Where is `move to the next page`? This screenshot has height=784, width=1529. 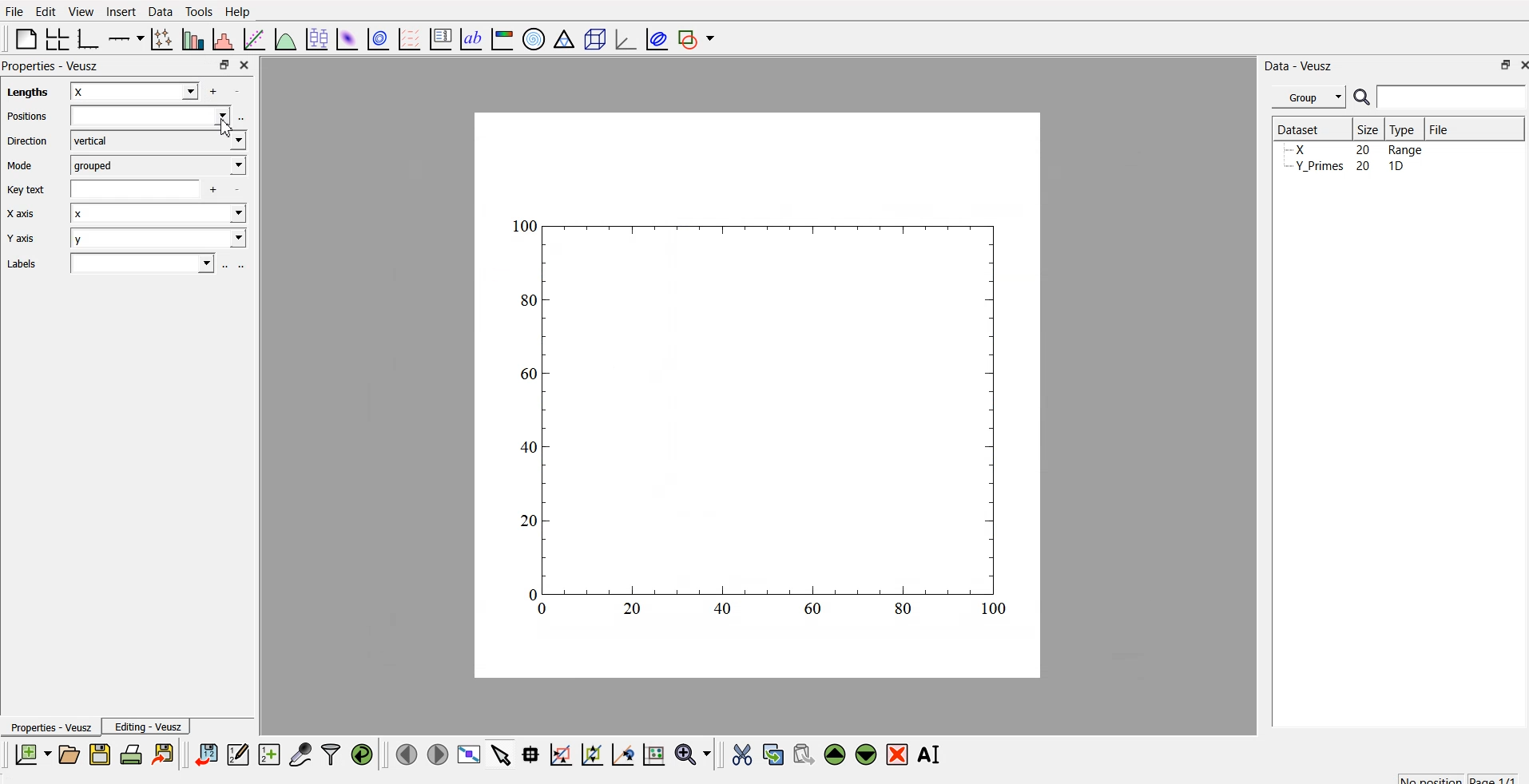
move to the next page is located at coordinates (436, 754).